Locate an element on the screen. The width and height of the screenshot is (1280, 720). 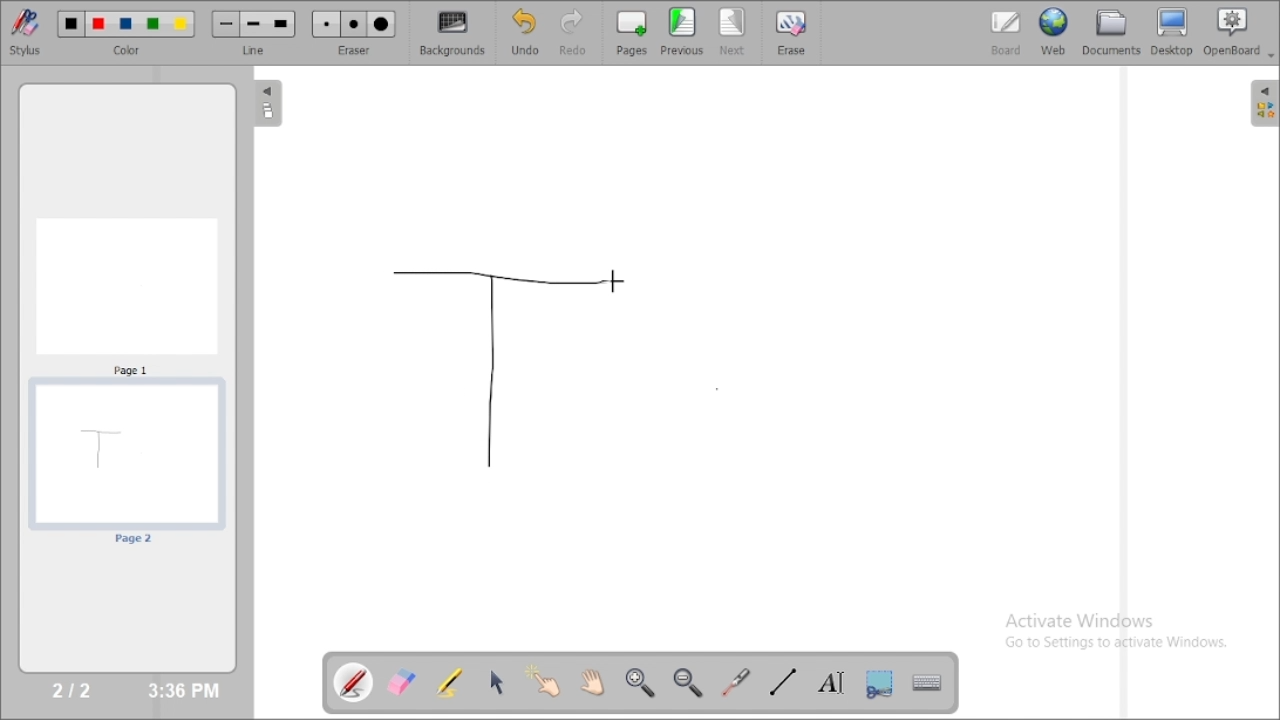
zoom out is located at coordinates (690, 683).